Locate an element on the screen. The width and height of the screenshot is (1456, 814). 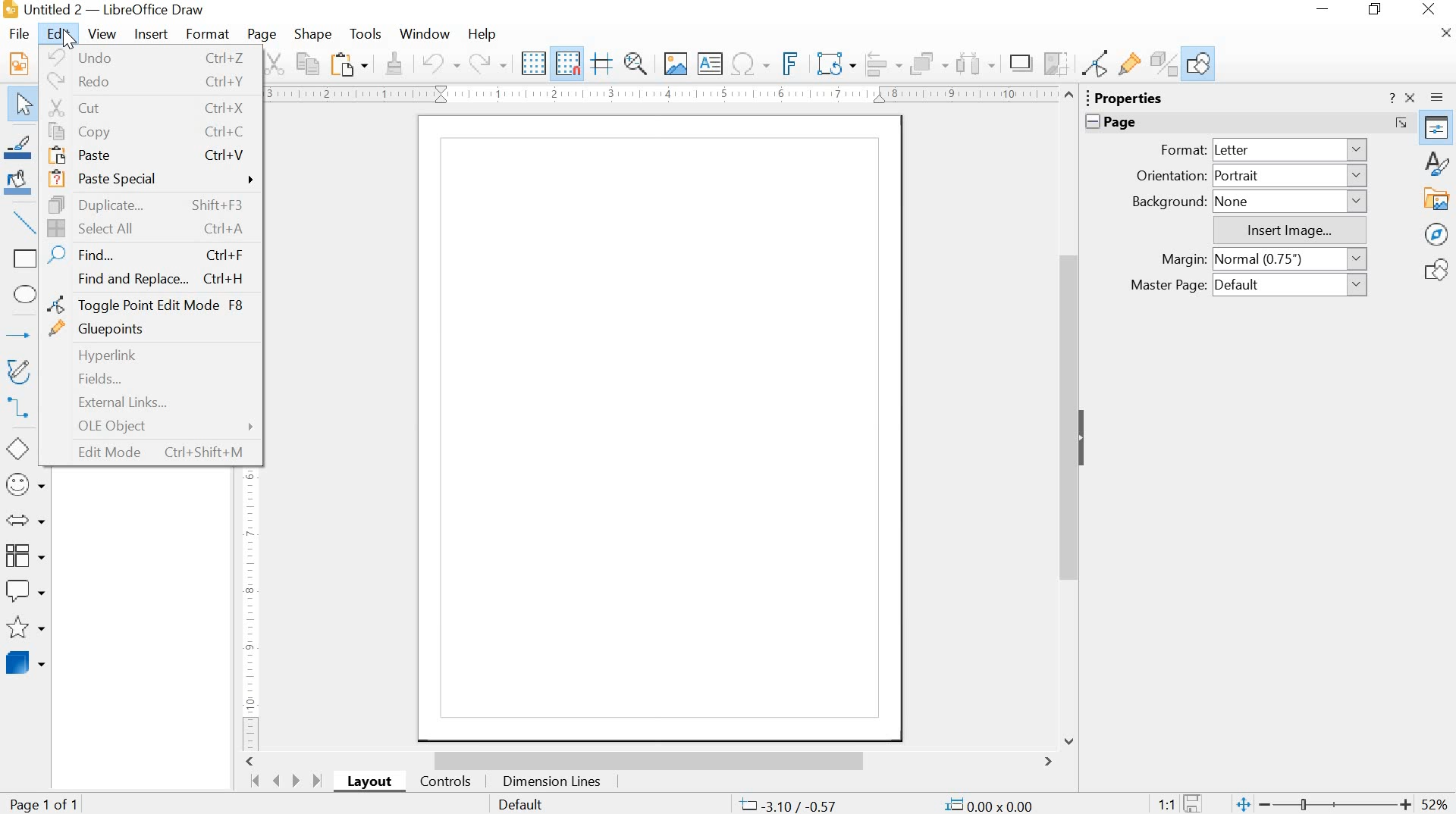
hyperlink is located at coordinates (149, 354).